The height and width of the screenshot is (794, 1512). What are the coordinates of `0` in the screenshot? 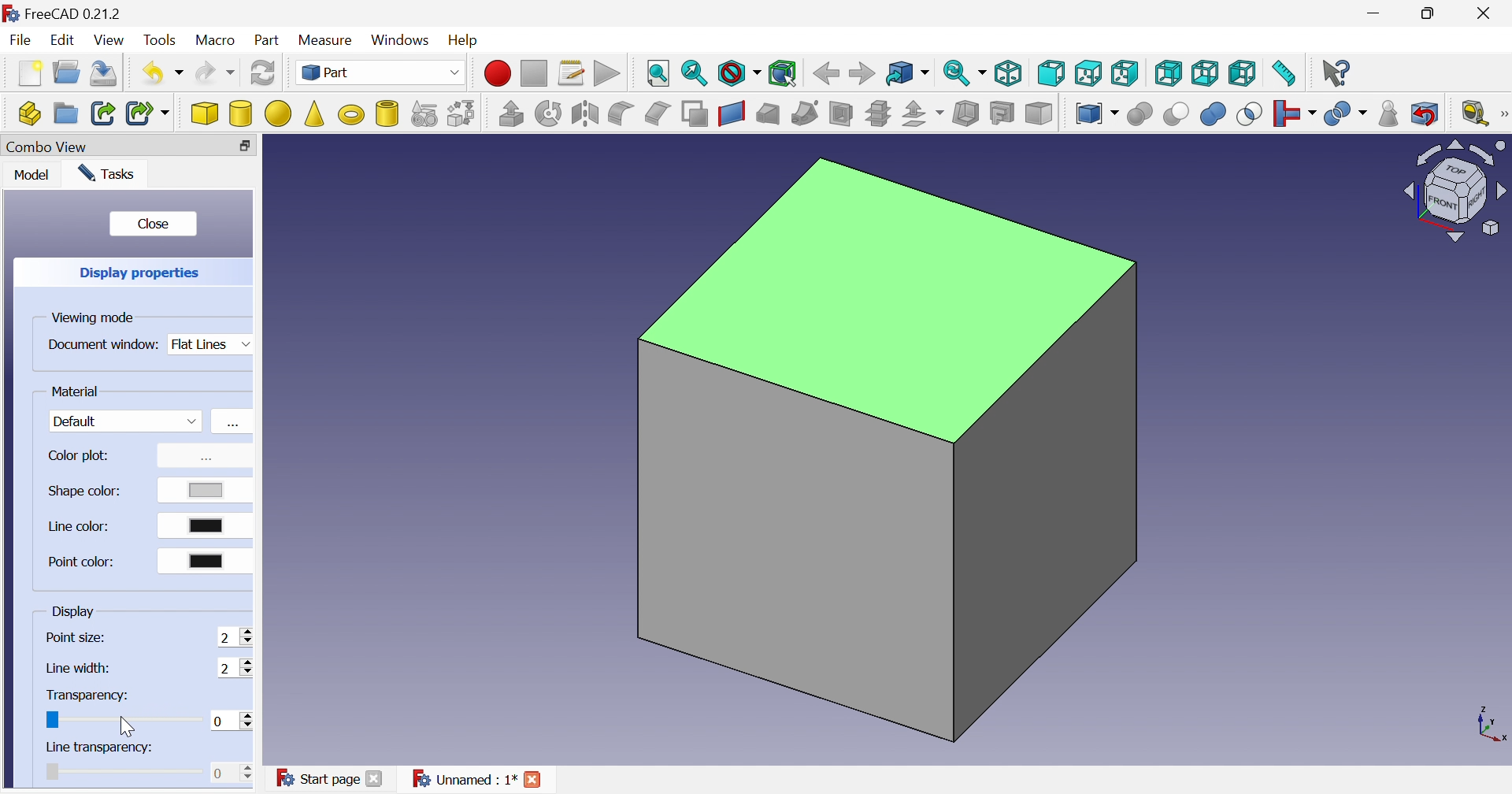 It's located at (231, 772).